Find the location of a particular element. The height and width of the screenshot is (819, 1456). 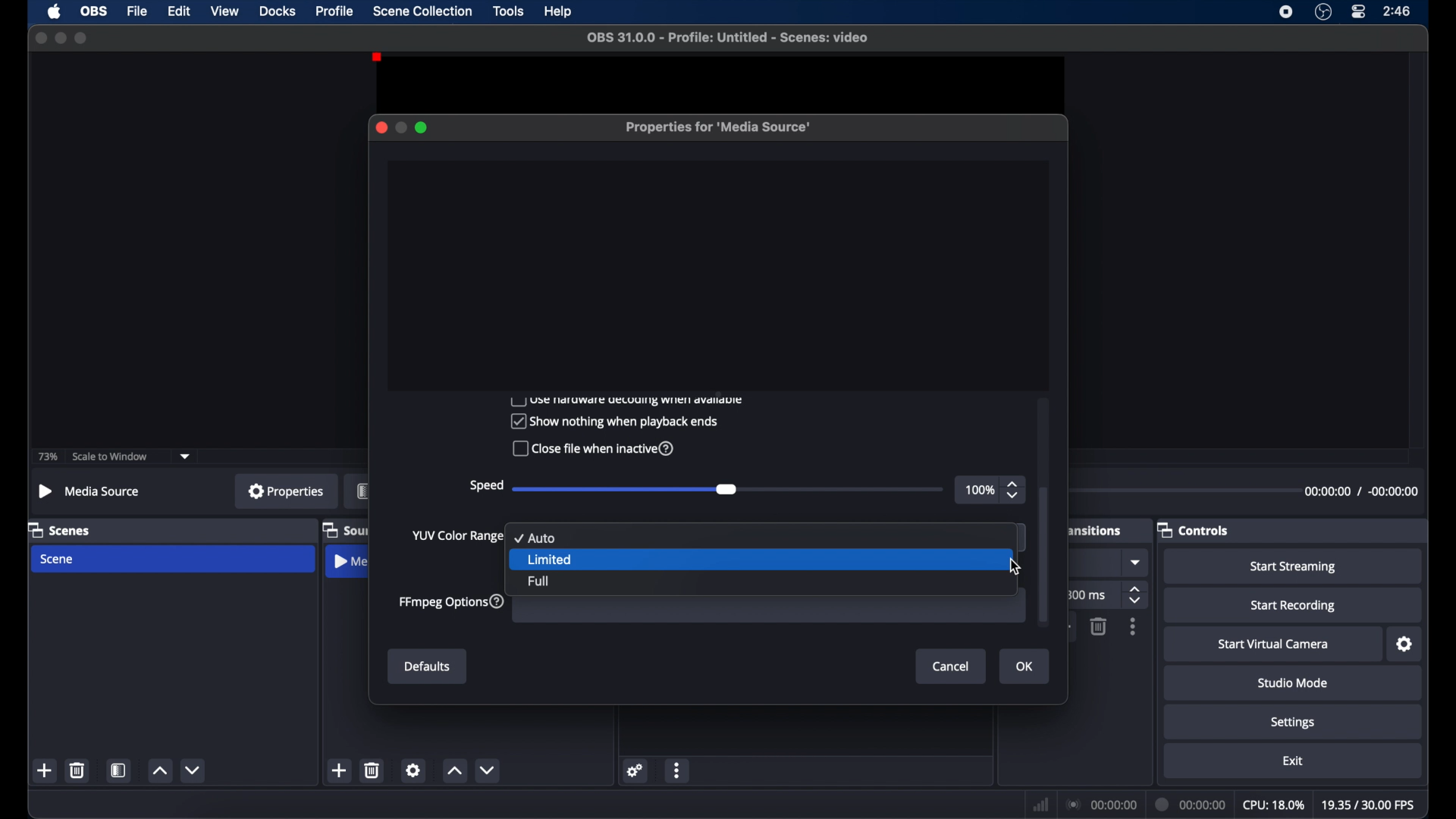

defaults is located at coordinates (428, 667).